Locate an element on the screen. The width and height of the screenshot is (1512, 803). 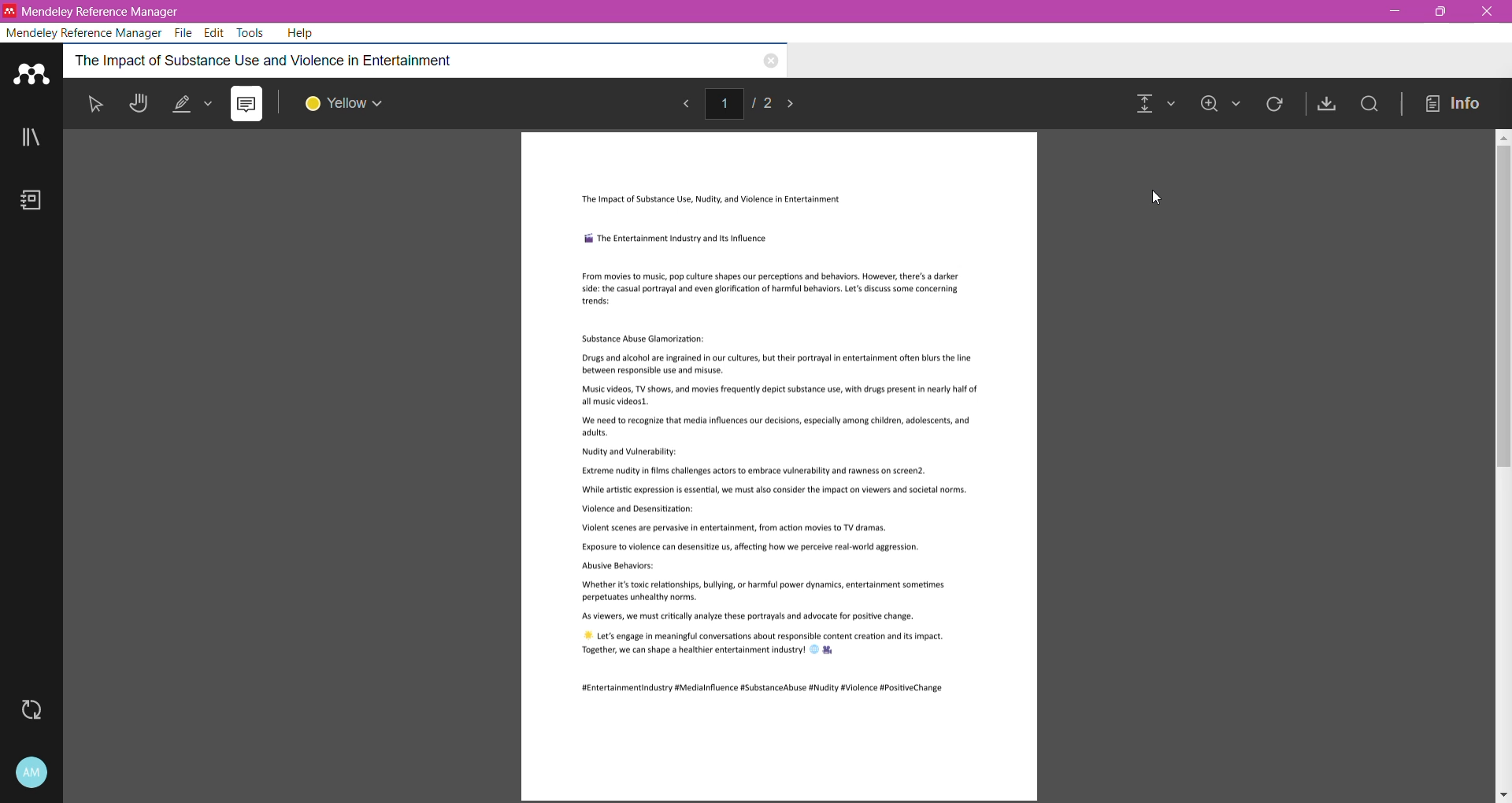
Mendeley Reference Manager is located at coordinates (85, 31).